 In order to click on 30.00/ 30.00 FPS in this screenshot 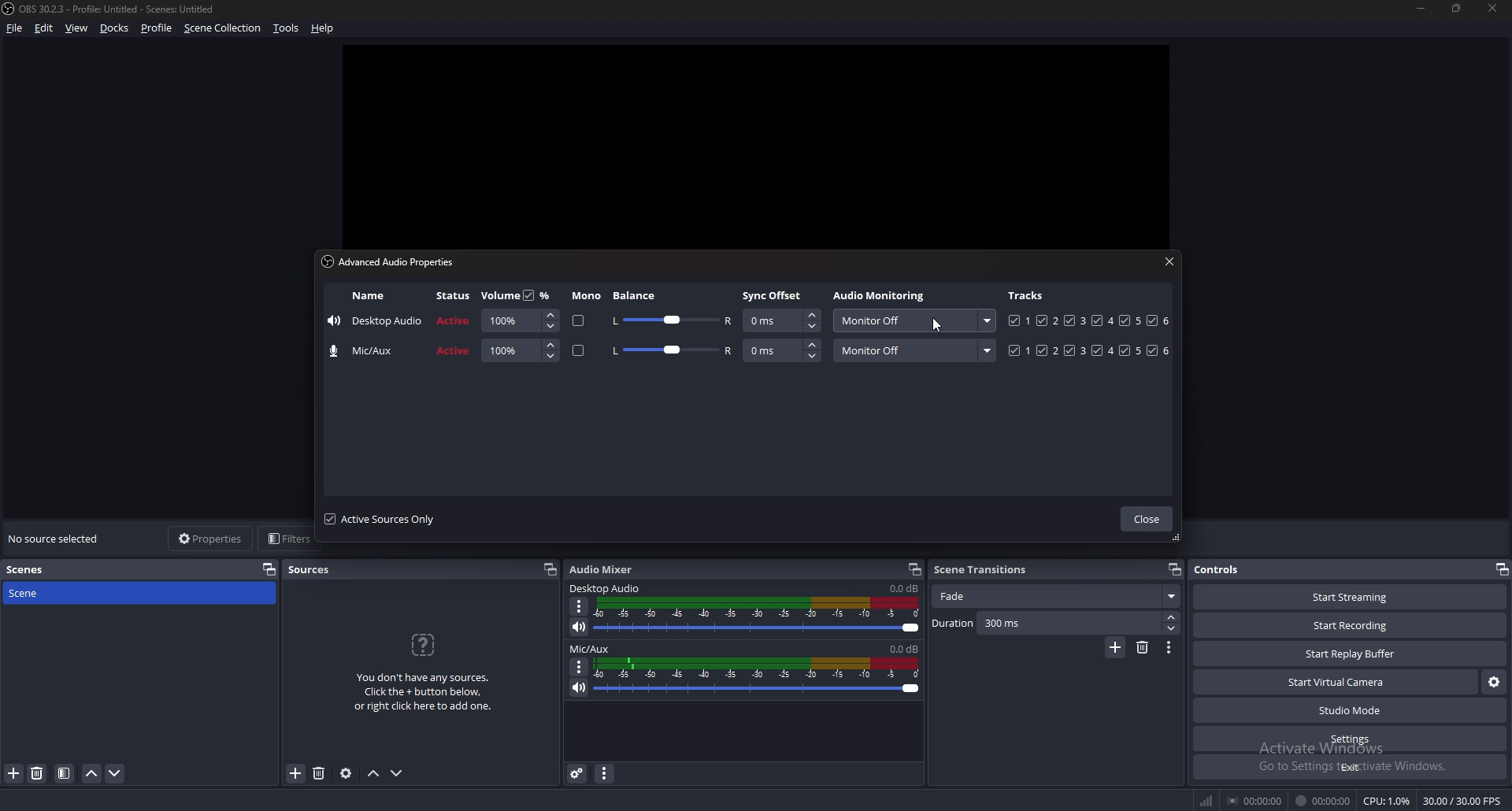, I will do `click(1465, 800)`.